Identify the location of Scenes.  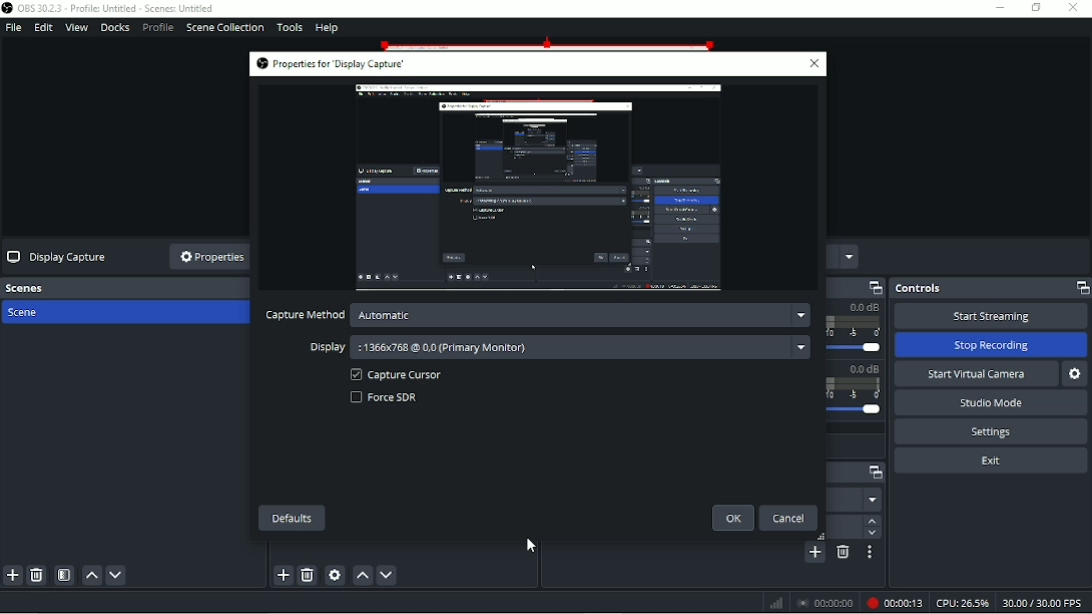
(126, 287).